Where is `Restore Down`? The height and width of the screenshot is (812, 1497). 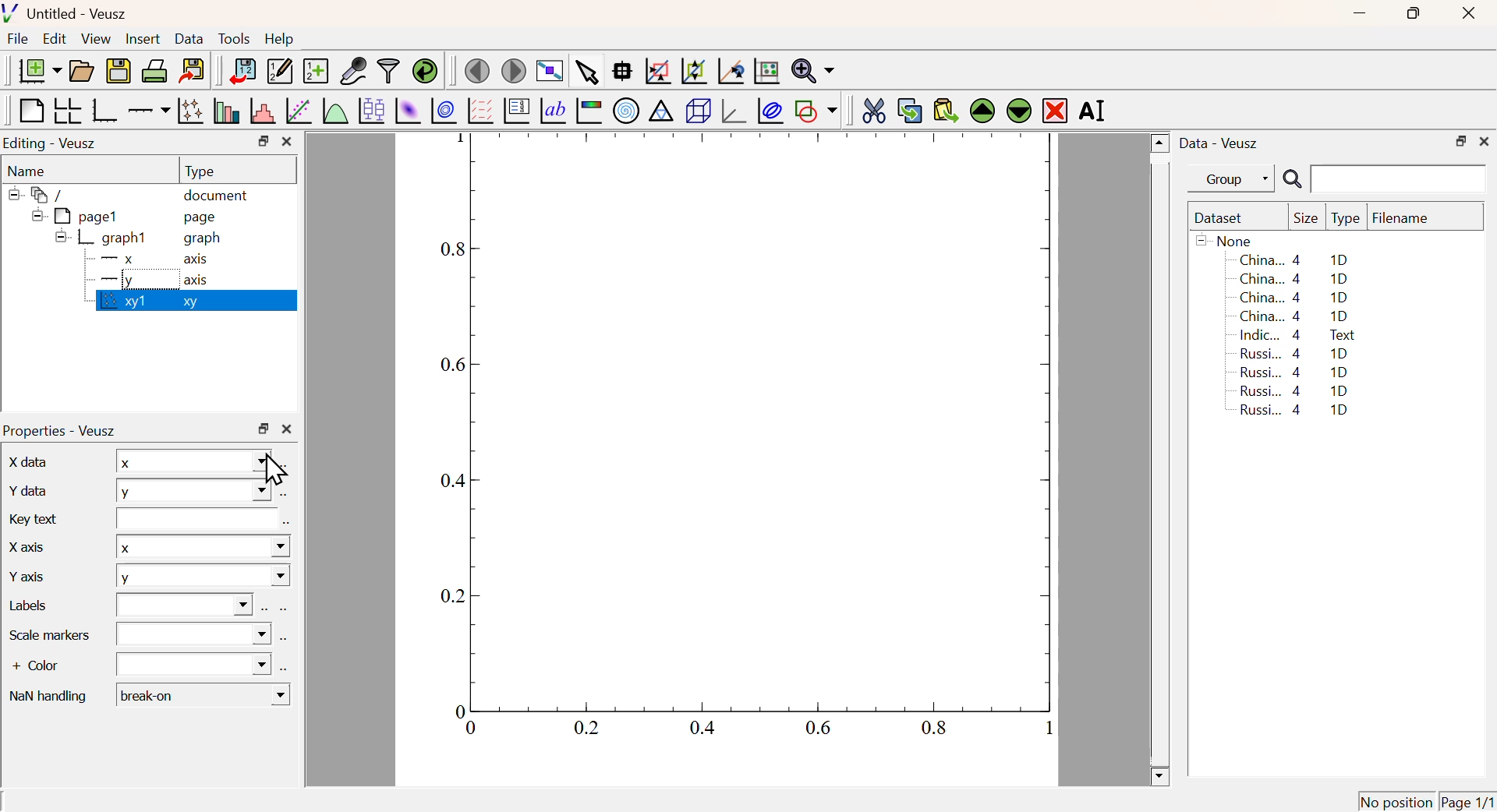 Restore Down is located at coordinates (1460, 142).